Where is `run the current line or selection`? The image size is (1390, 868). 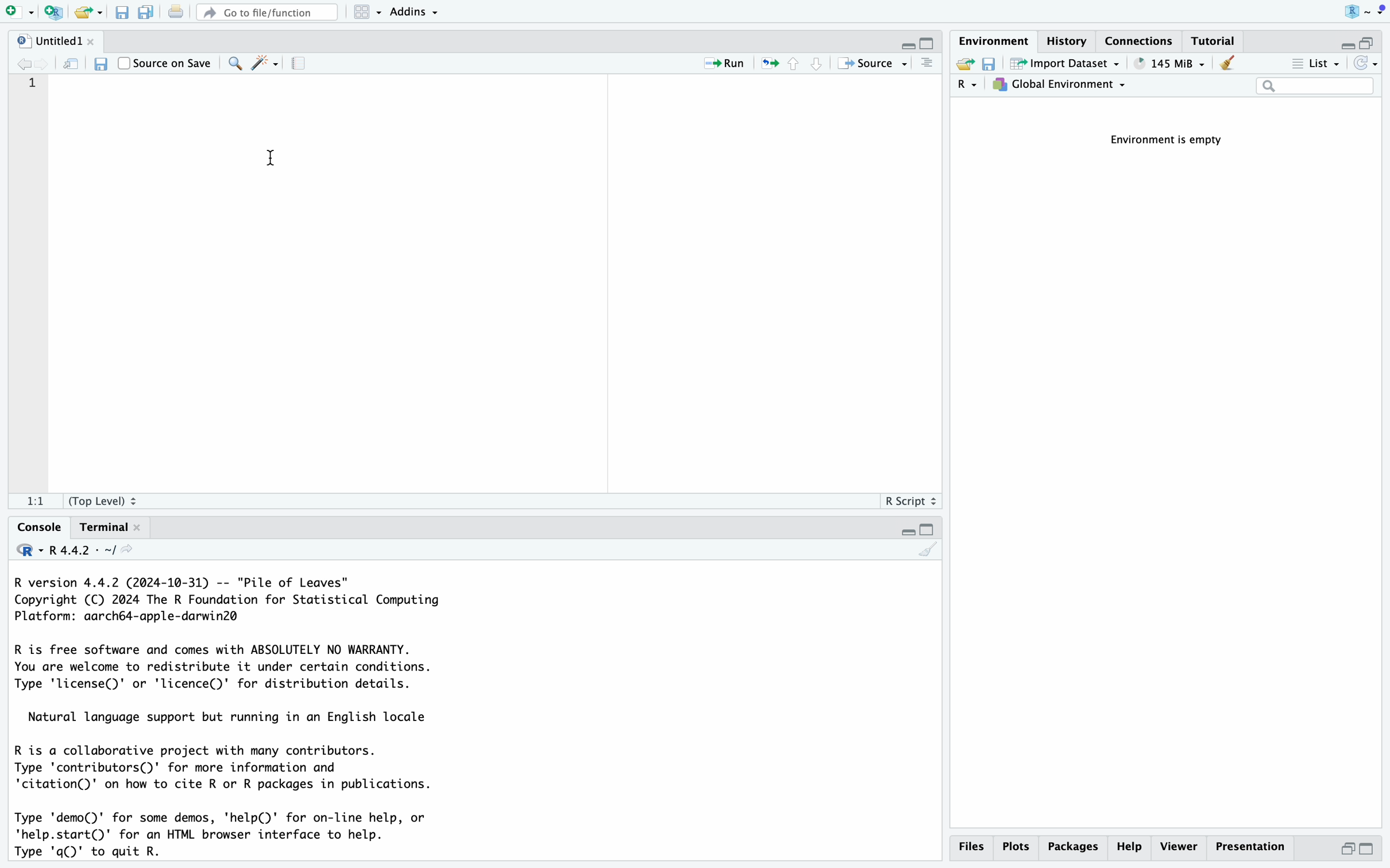
run the current line or selection is located at coordinates (727, 65).